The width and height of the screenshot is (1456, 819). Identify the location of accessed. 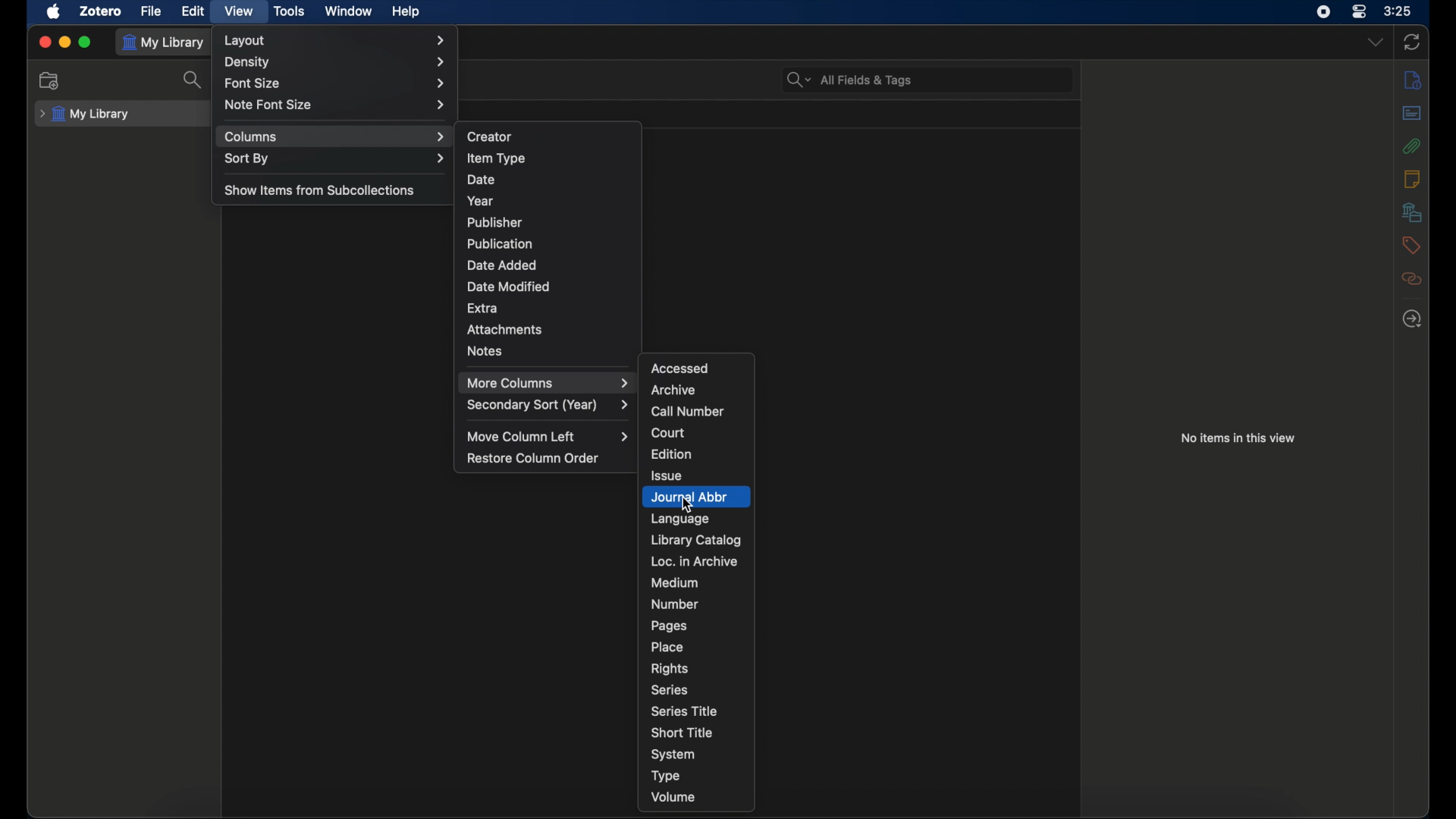
(681, 368).